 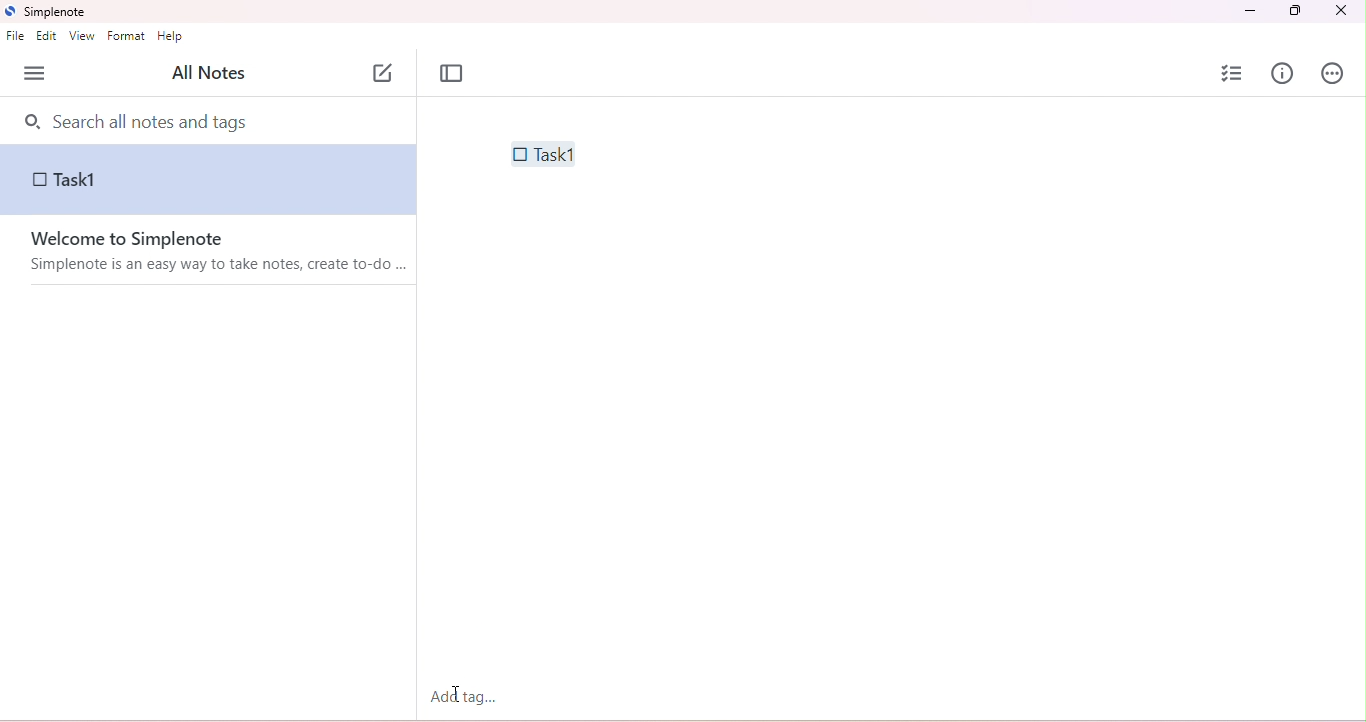 What do you see at coordinates (54, 13) in the screenshot?
I see `simplenote` at bounding box center [54, 13].